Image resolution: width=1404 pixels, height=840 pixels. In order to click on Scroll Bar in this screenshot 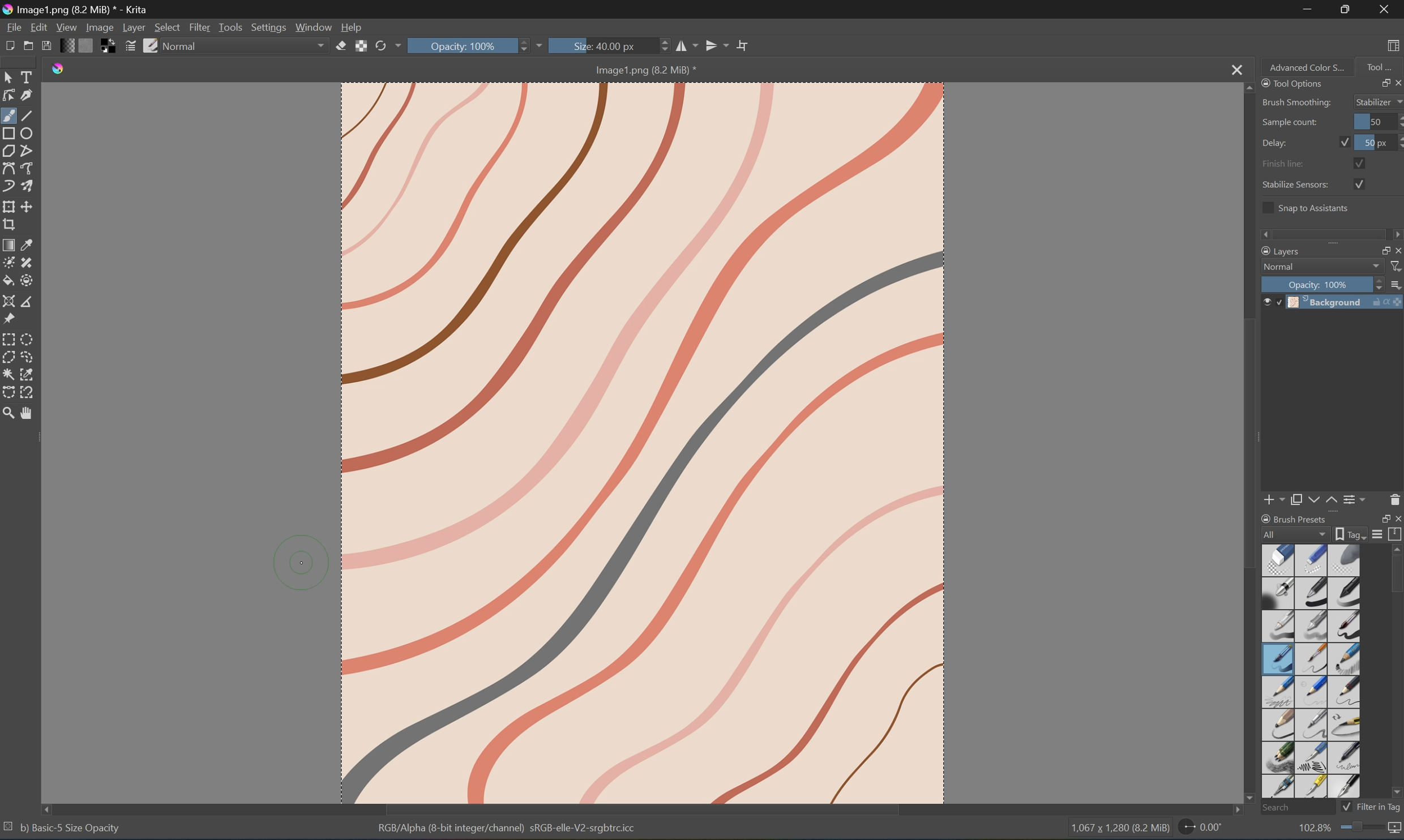, I will do `click(643, 809)`.